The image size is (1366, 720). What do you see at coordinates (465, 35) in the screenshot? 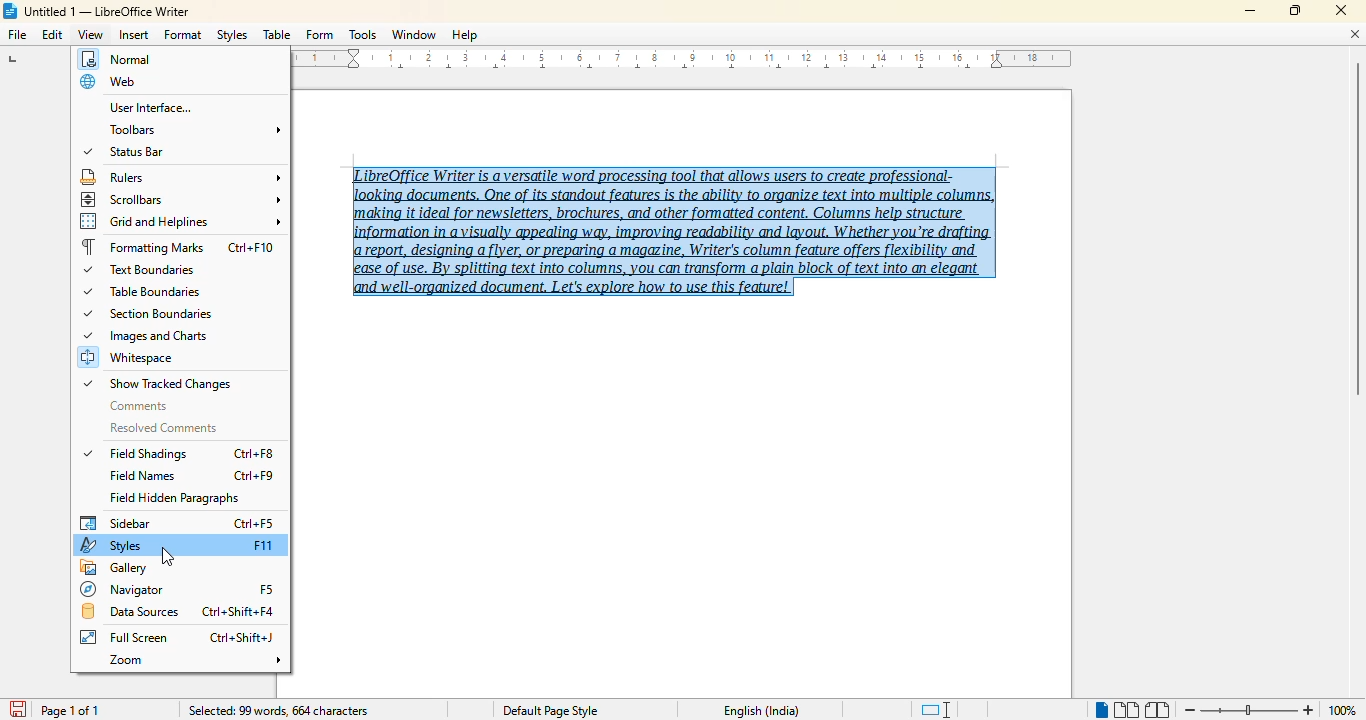
I see `help` at bounding box center [465, 35].